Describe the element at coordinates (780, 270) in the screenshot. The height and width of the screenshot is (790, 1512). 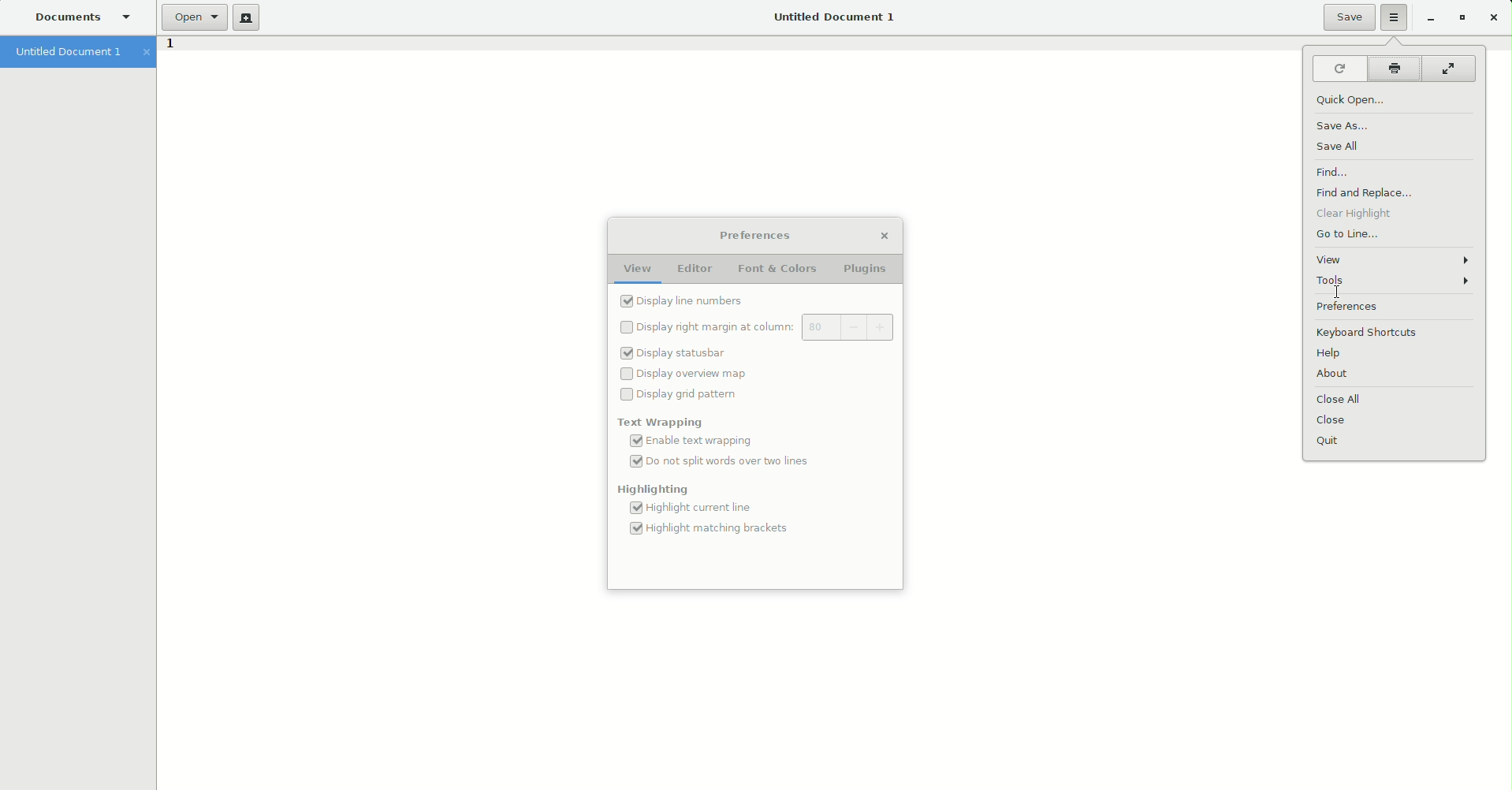
I see `Font and Colors` at that location.